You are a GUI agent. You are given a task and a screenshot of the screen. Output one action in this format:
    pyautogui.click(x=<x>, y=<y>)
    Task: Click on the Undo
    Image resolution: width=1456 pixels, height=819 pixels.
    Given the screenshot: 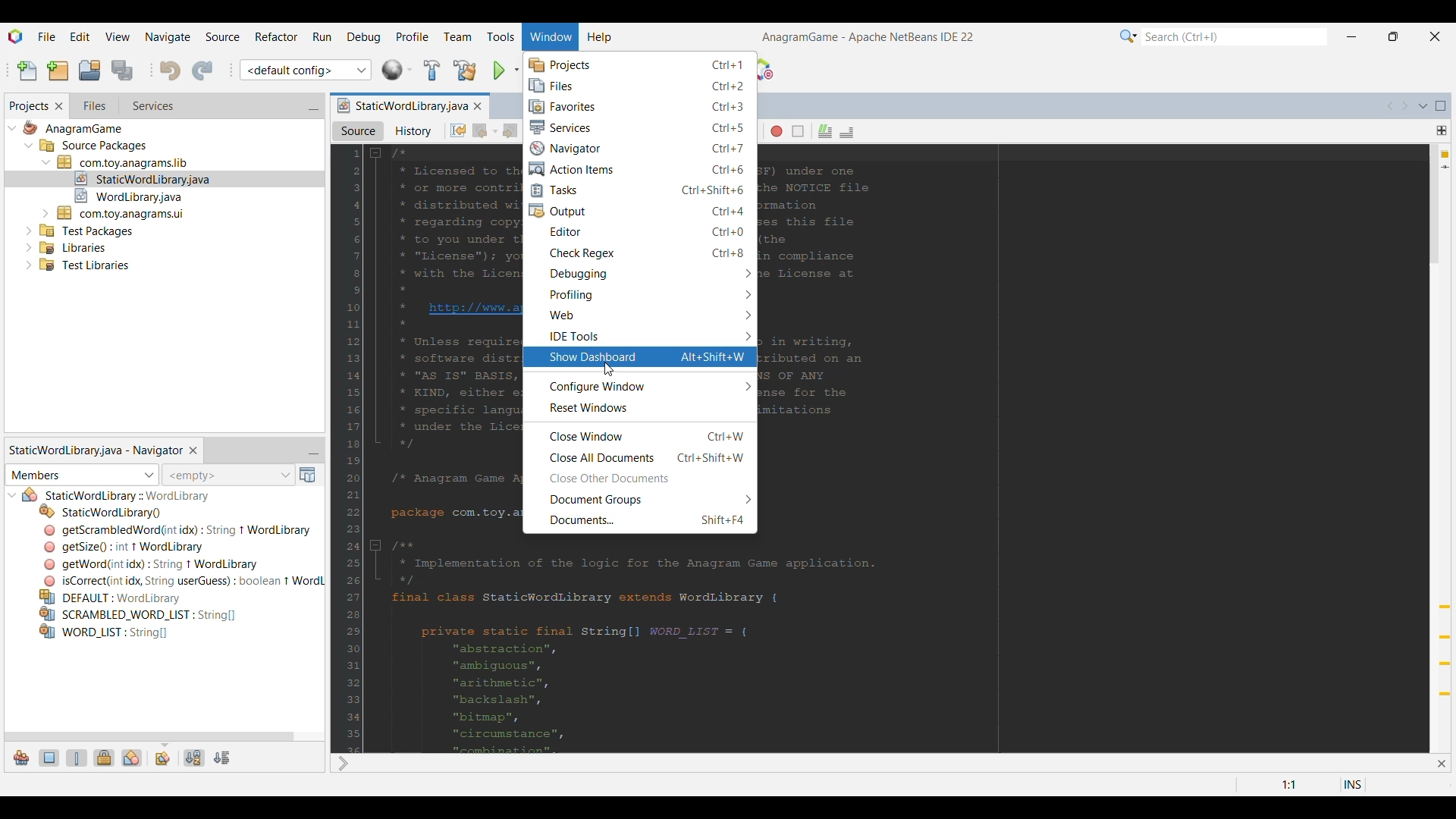 What is the action you would take?
    pyautogui.click(x=170, y=71)
    